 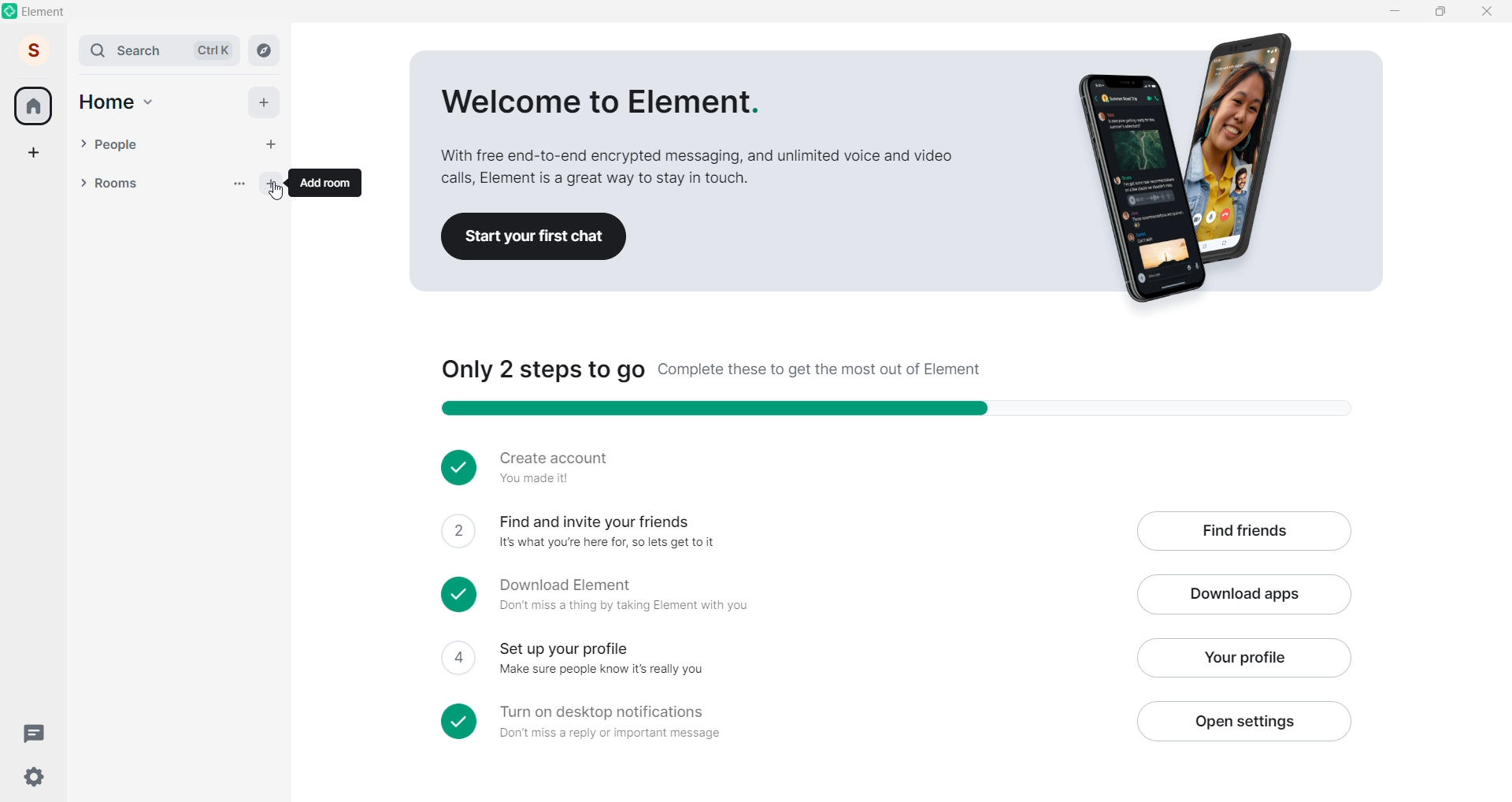 What do you see at coordinates (172, 145) in the screenshot?
I see `People` at bounding box center [172, 145].